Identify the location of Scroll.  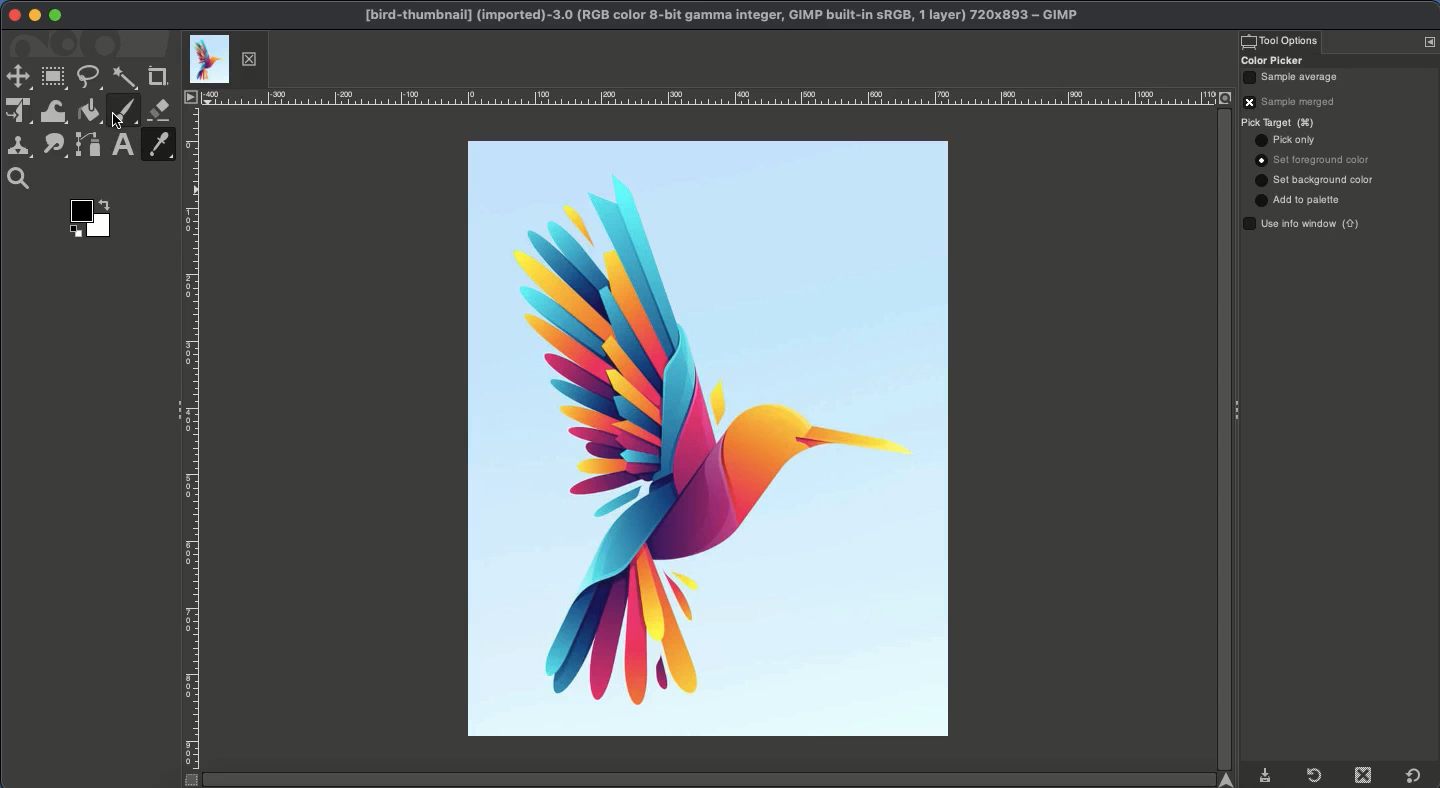
(1222, 439).